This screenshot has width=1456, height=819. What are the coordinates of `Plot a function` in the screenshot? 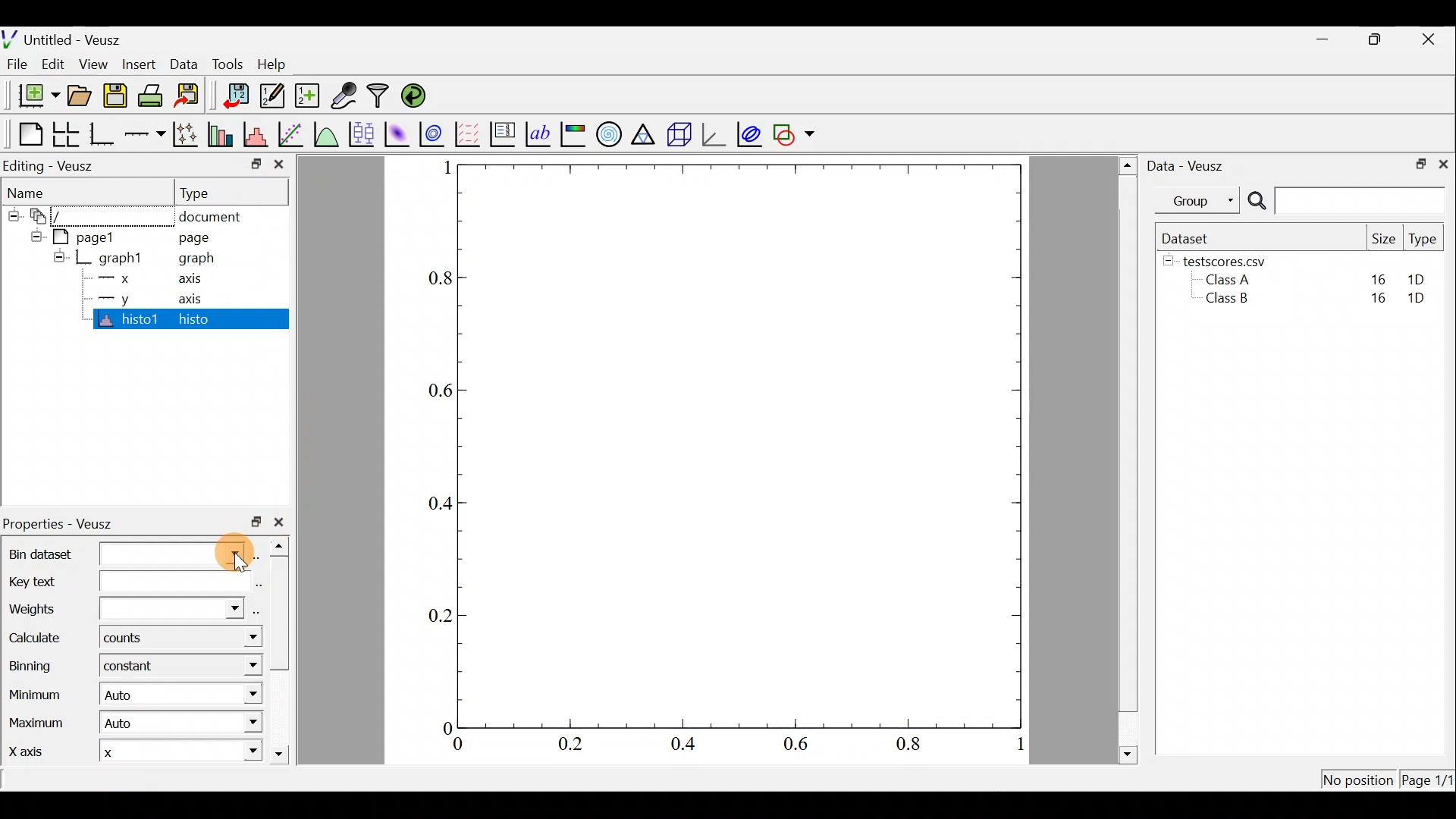 It's located at (326, 133).